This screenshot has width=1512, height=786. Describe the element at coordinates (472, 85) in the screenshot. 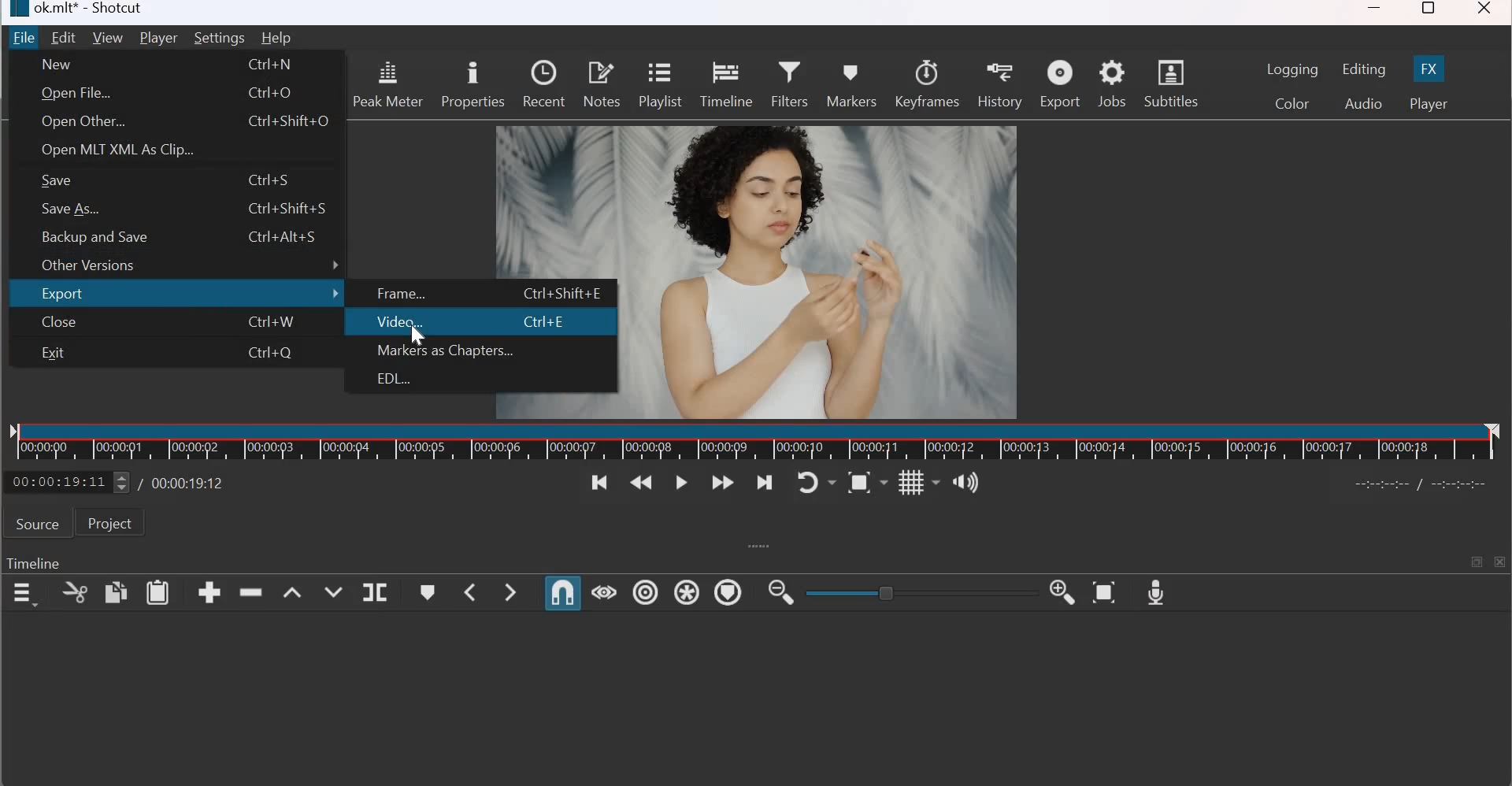

I see `Properties` at that location.